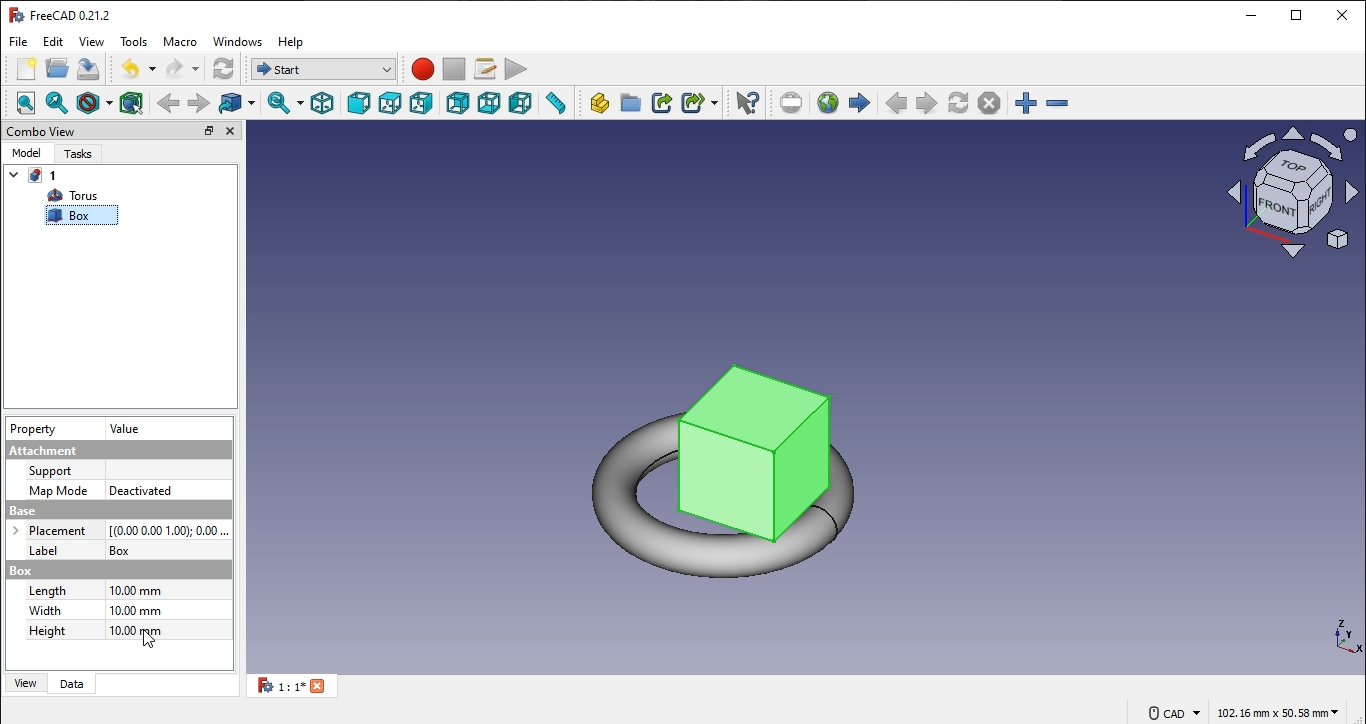 Image resolution: width=1366 pixels, height=724 pixels. Describe the element at coordinates (26, 102) in the screenshot. I see `fit all` at that location.